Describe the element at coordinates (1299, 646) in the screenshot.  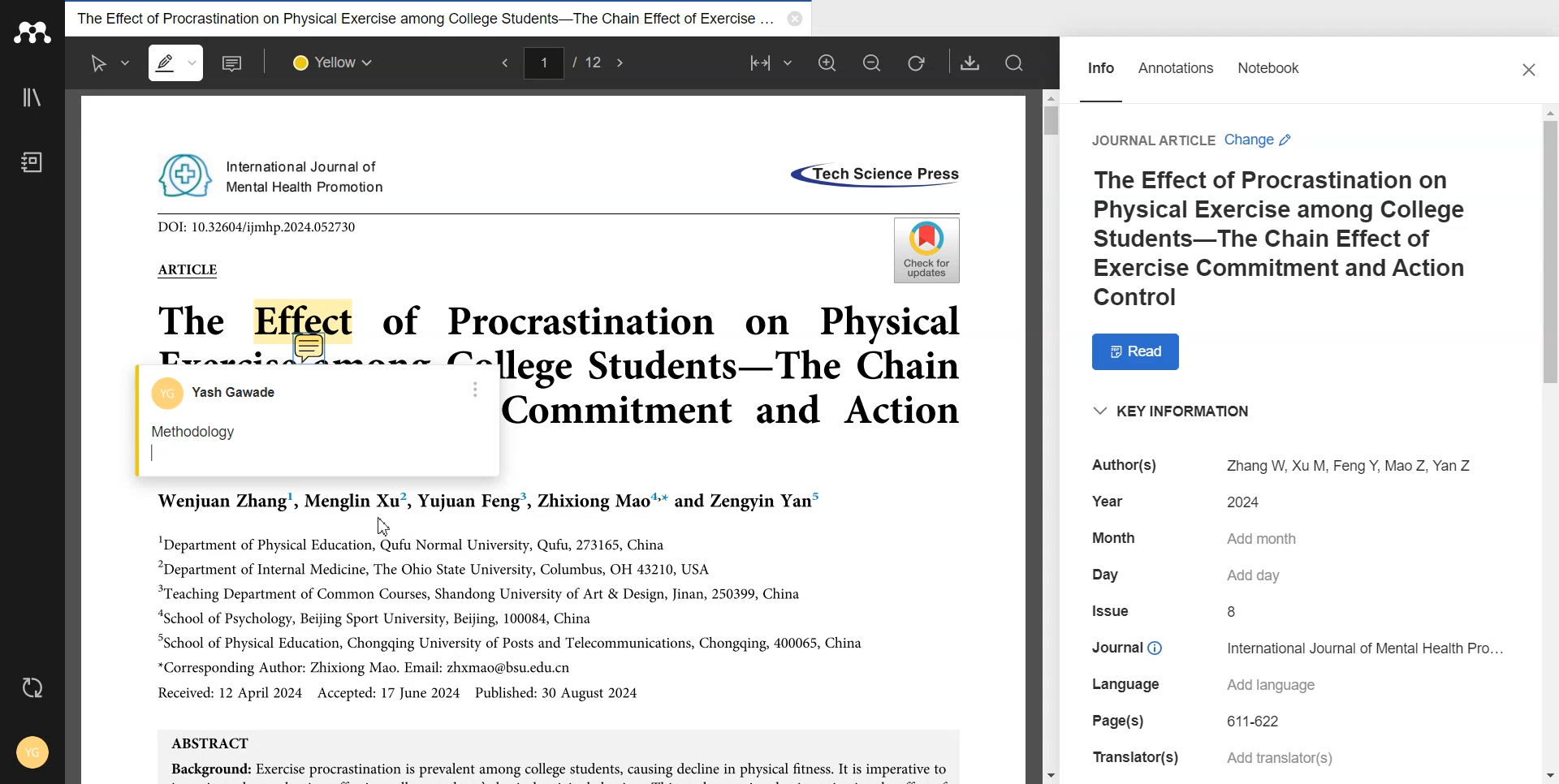
I see `Journal © International Journal of Mental Health Pro...` at that location.